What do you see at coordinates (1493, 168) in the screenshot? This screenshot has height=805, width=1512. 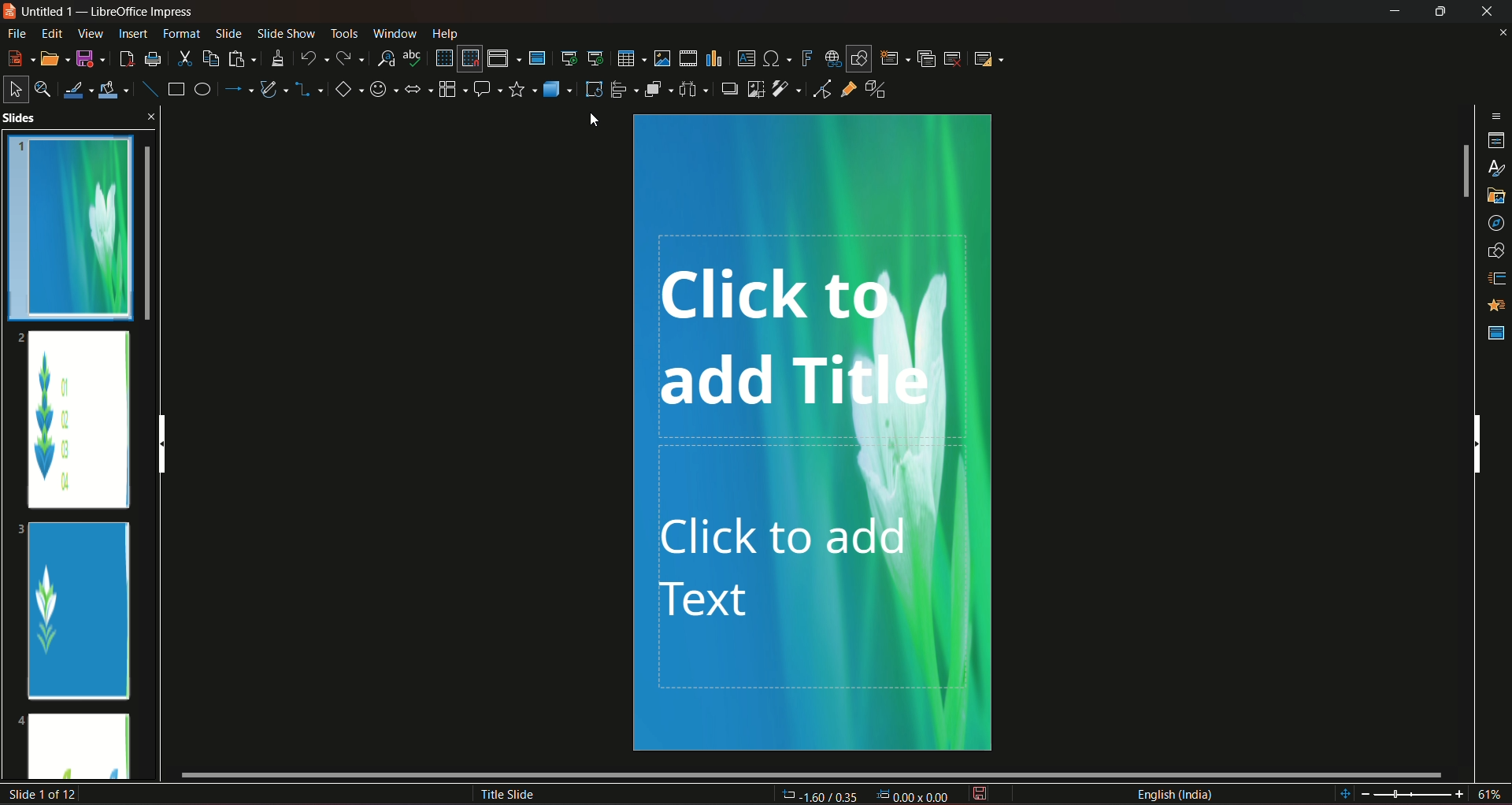 I see `styles` at bounding box center [1493, 168].